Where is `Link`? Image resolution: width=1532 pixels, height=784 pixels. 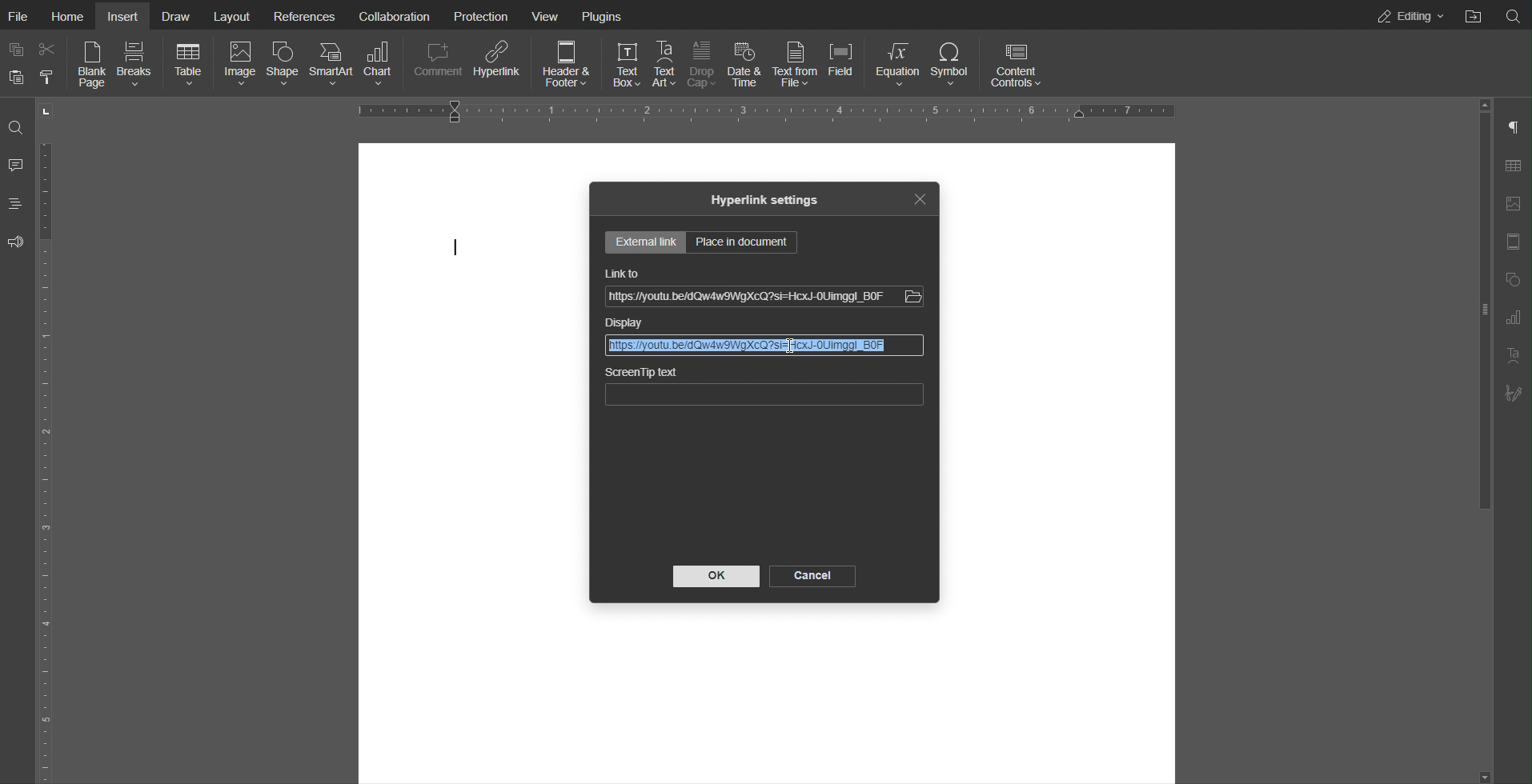 Link is located at coordinates (747, 298).